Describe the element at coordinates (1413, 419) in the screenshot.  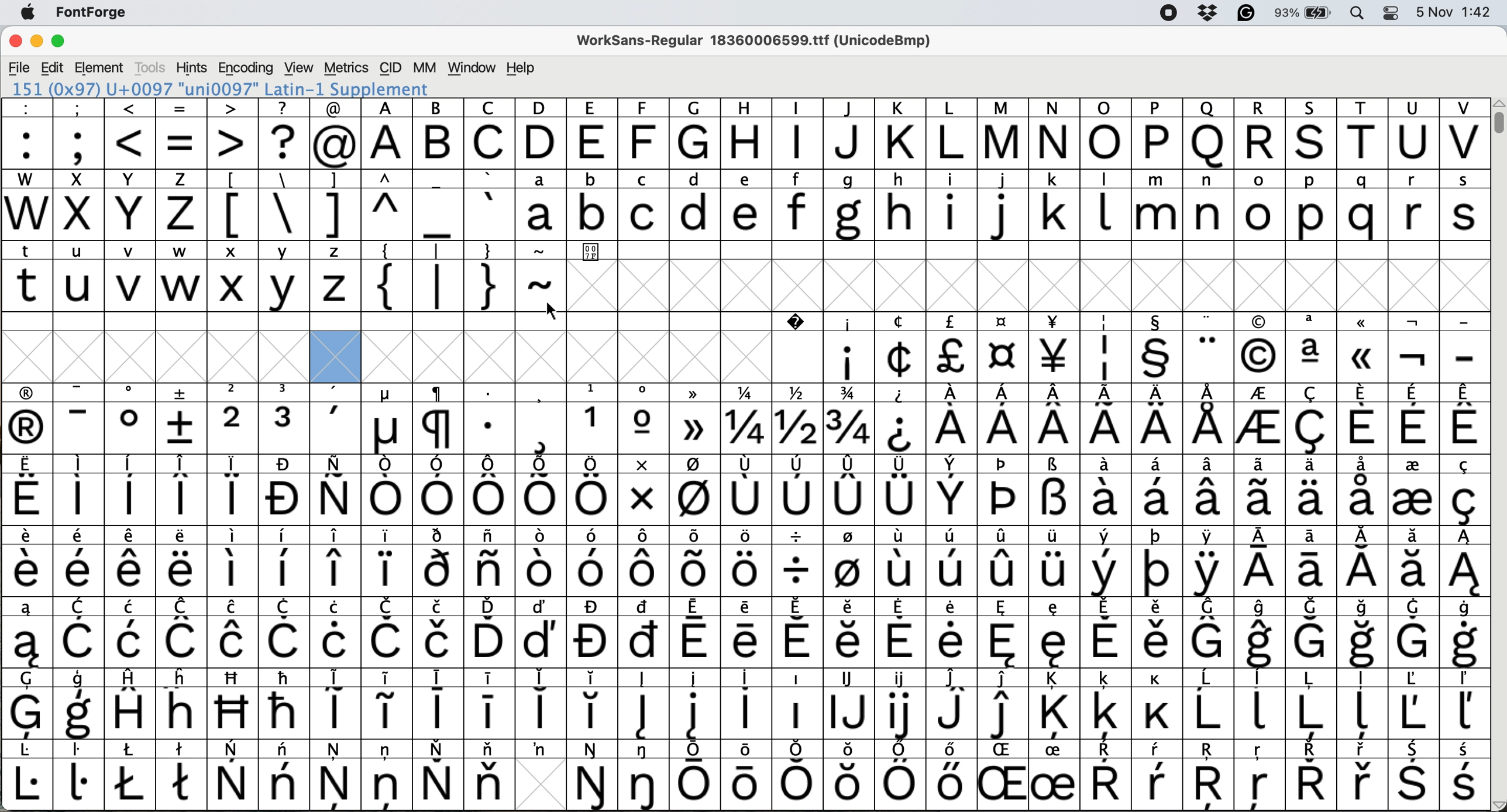
I see `symbol` at that location.